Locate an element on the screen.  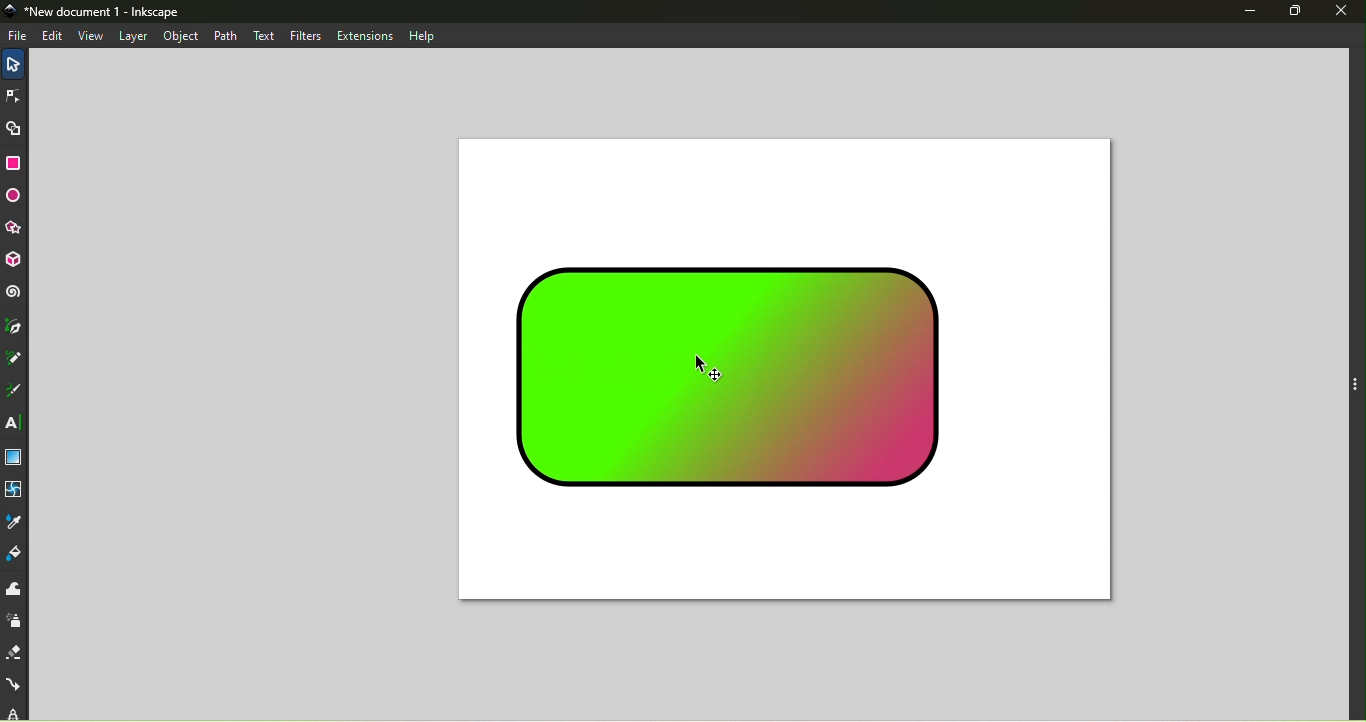
Close is located at coordinates (1344, 10).